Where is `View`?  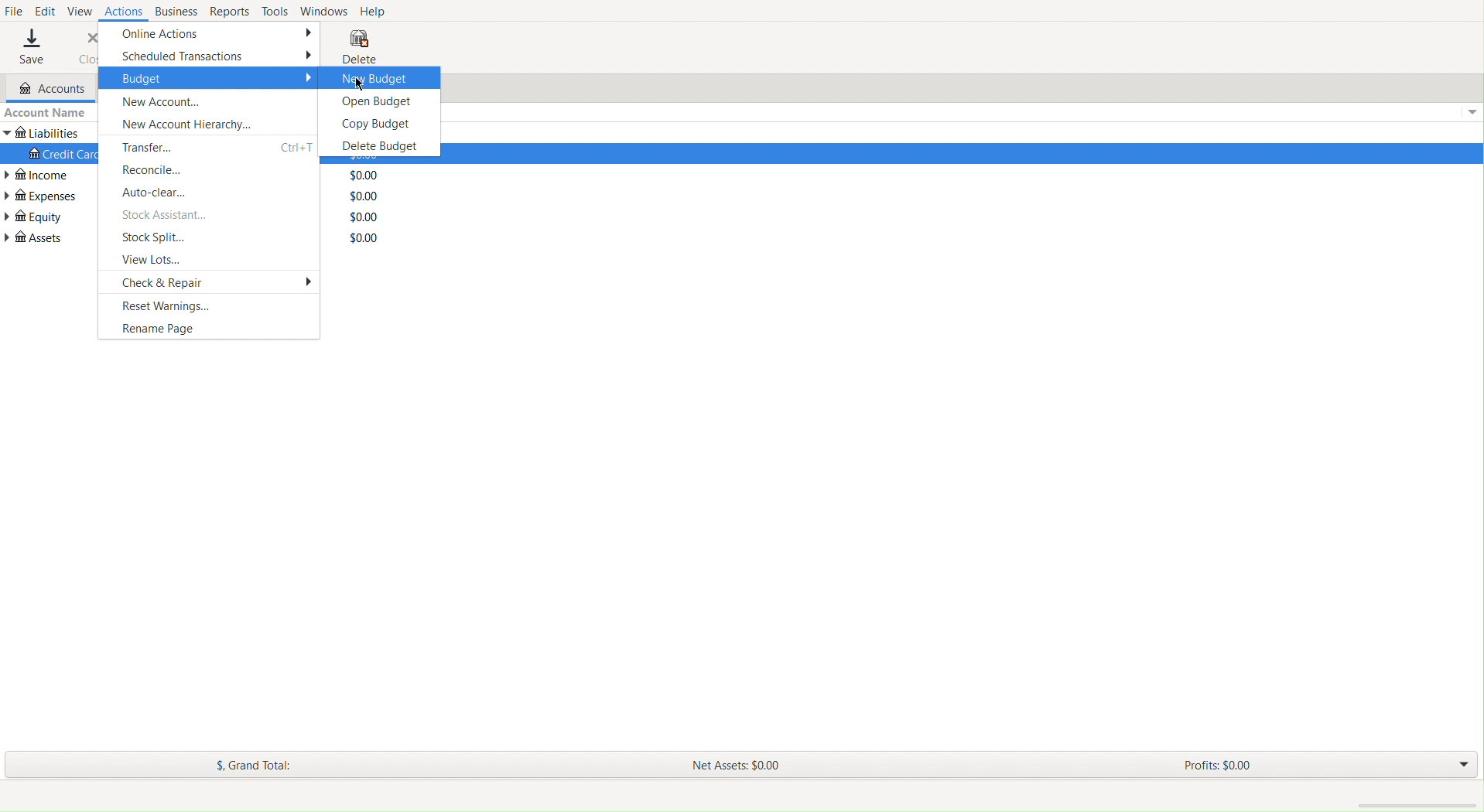
View is located at coordinates (80, 11).